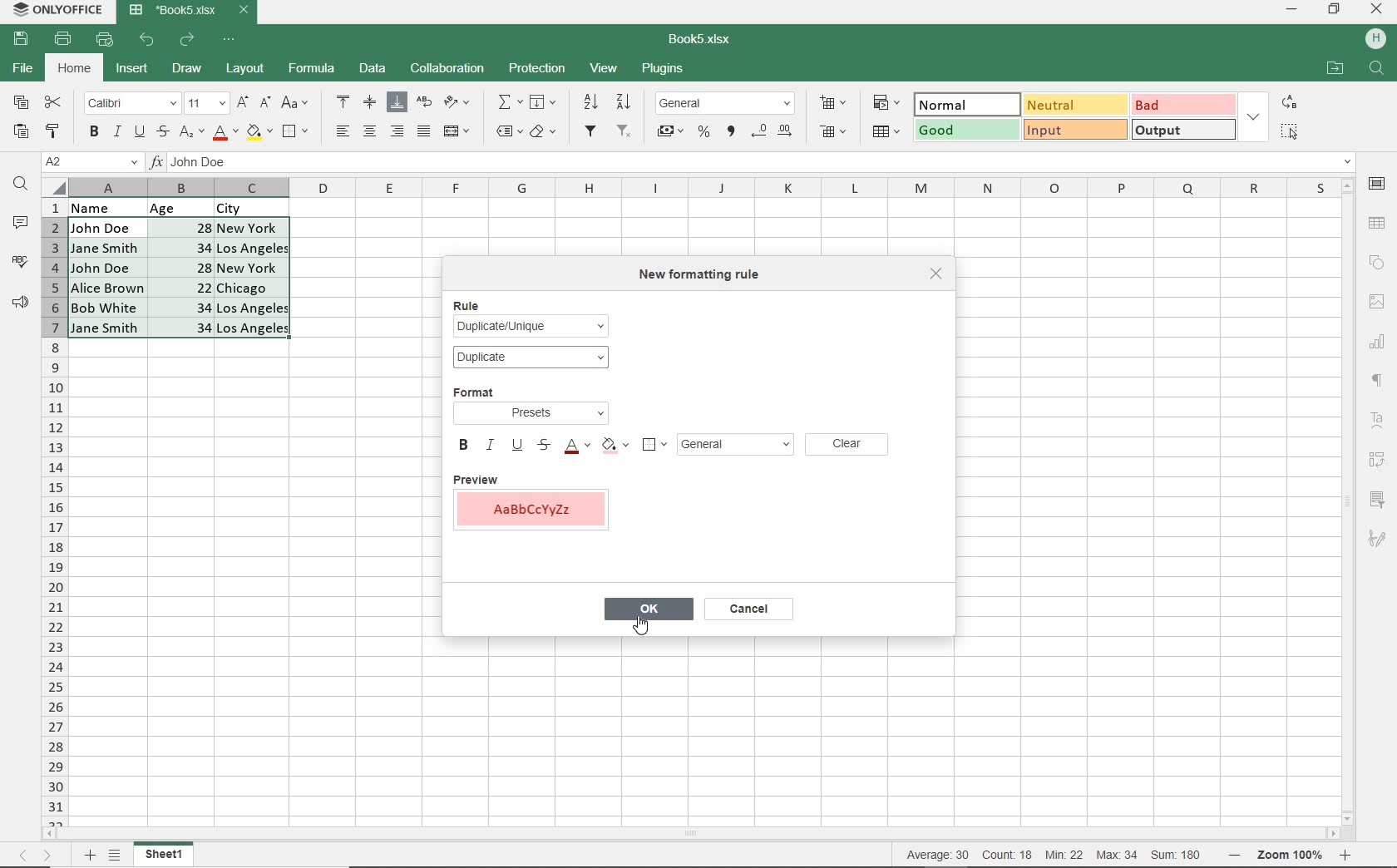  What do you see at coordinates (20, 262) in the screenshot?
I see `SPELL CHECKING` at bounding box center [20, 262].